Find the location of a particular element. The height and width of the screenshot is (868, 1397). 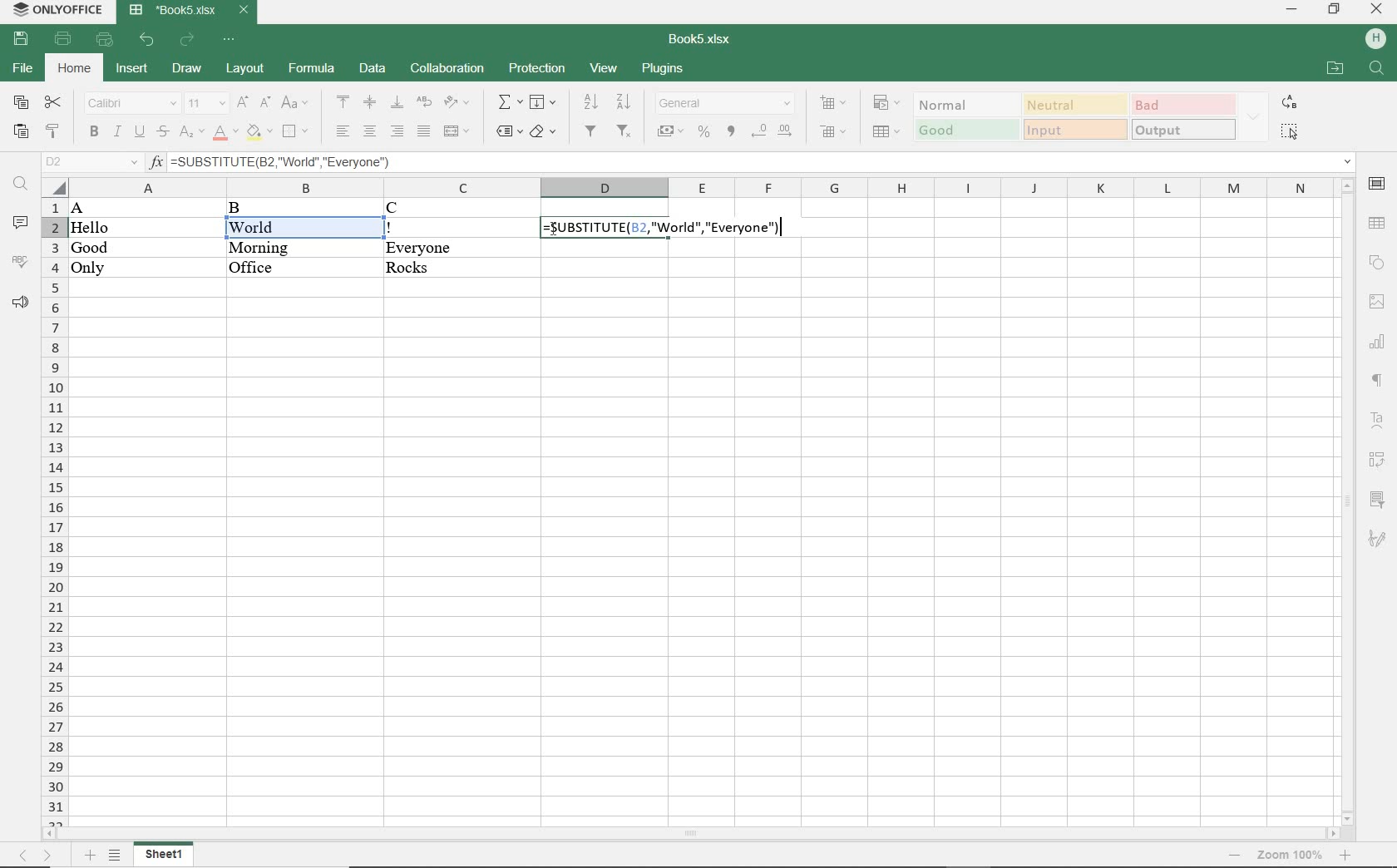

! is located at coordinates (442, 228).